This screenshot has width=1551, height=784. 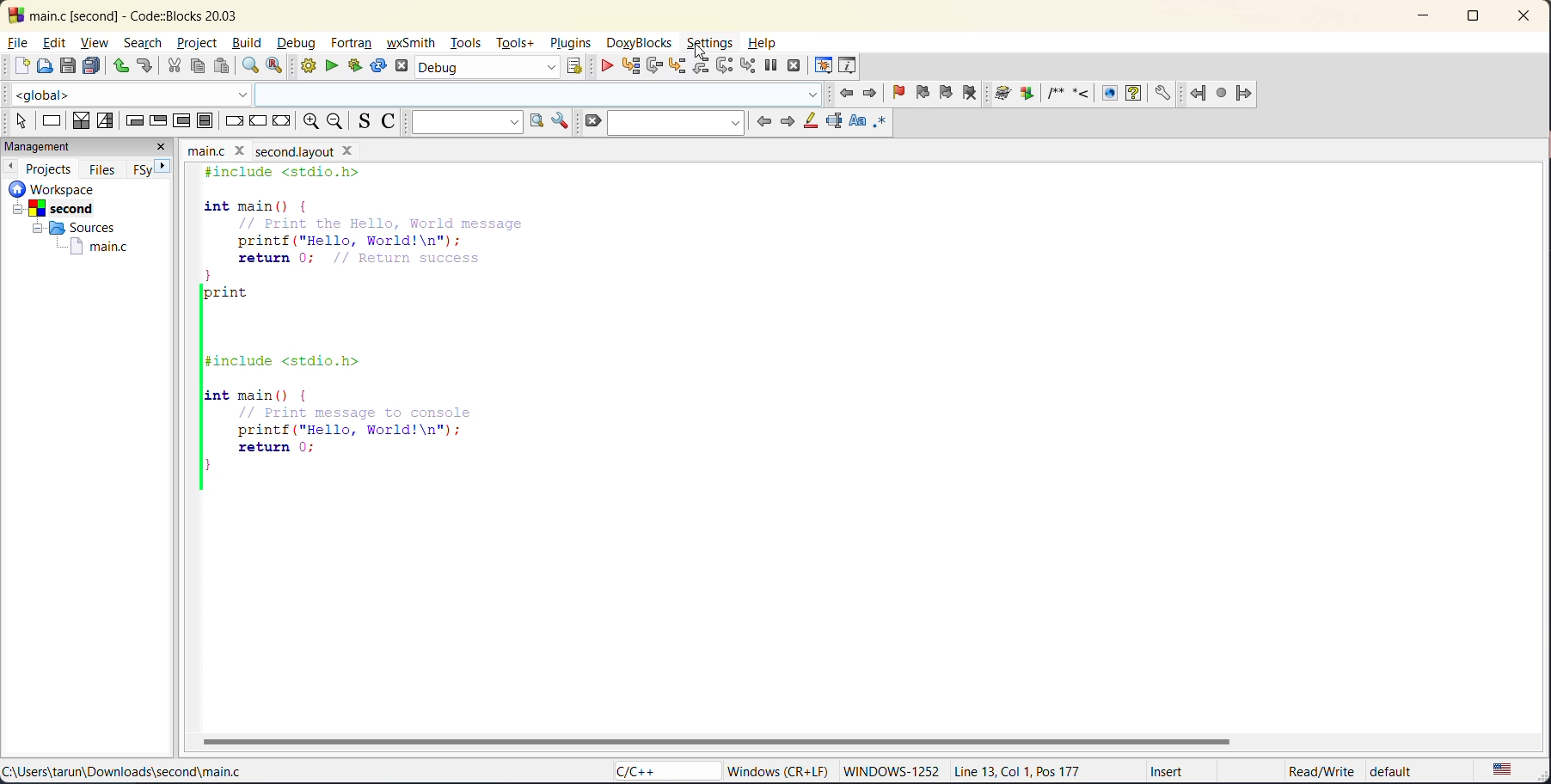 I want to click on close, so click(x=165, y=147).